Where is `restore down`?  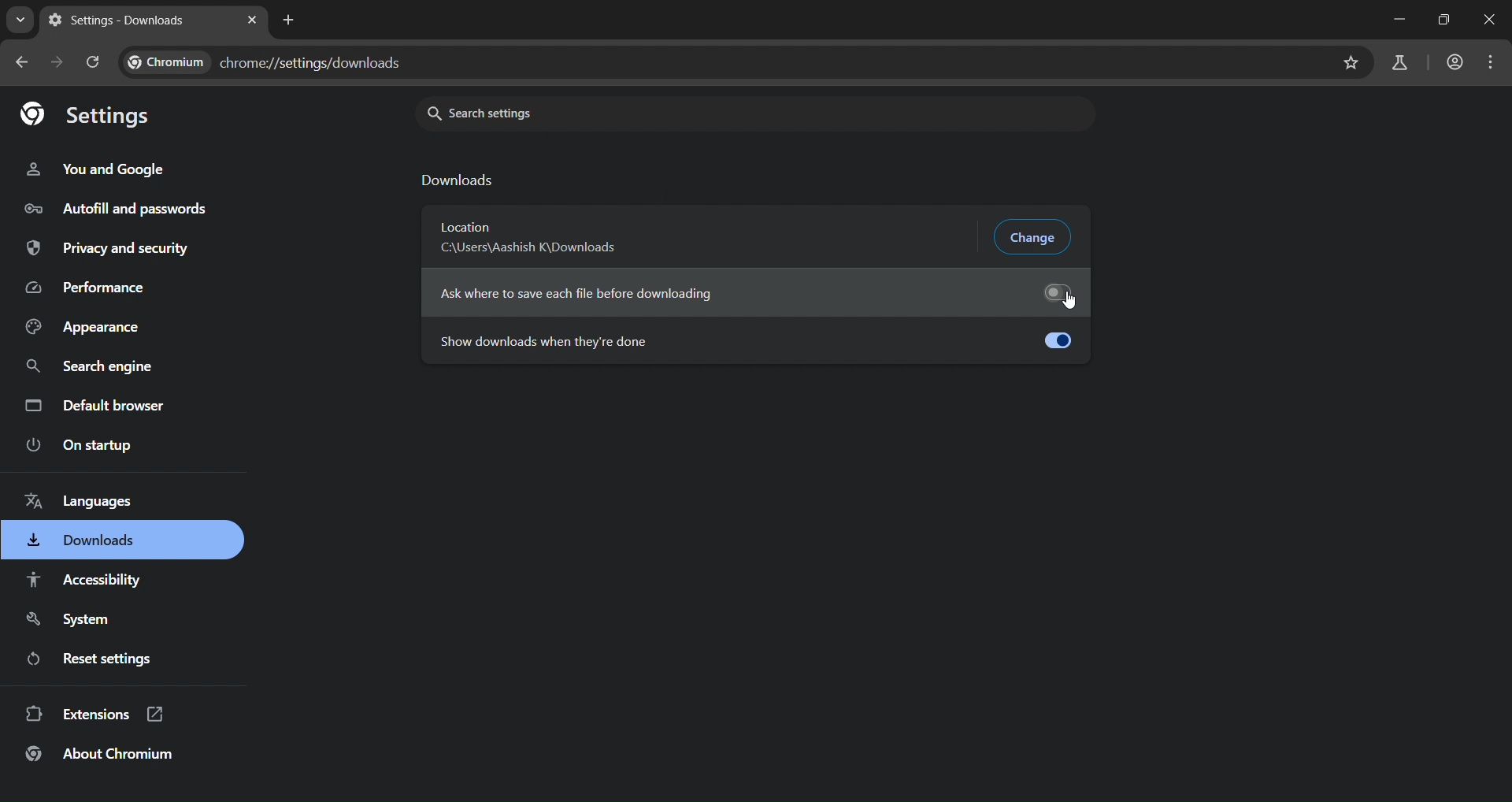 restore down is located at coordinates (1440, 20).